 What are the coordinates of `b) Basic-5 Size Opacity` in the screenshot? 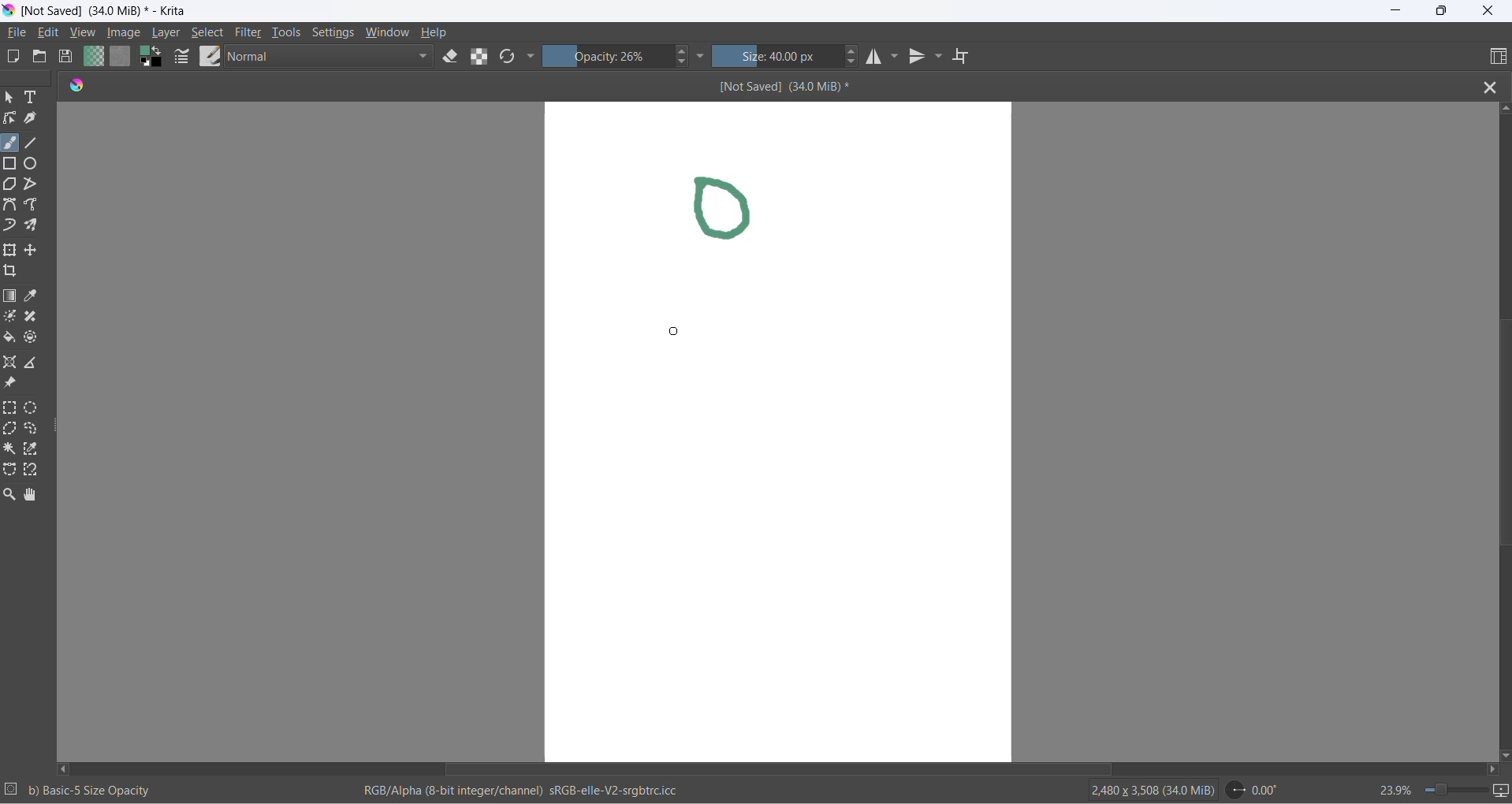 It's located at (92, 789).